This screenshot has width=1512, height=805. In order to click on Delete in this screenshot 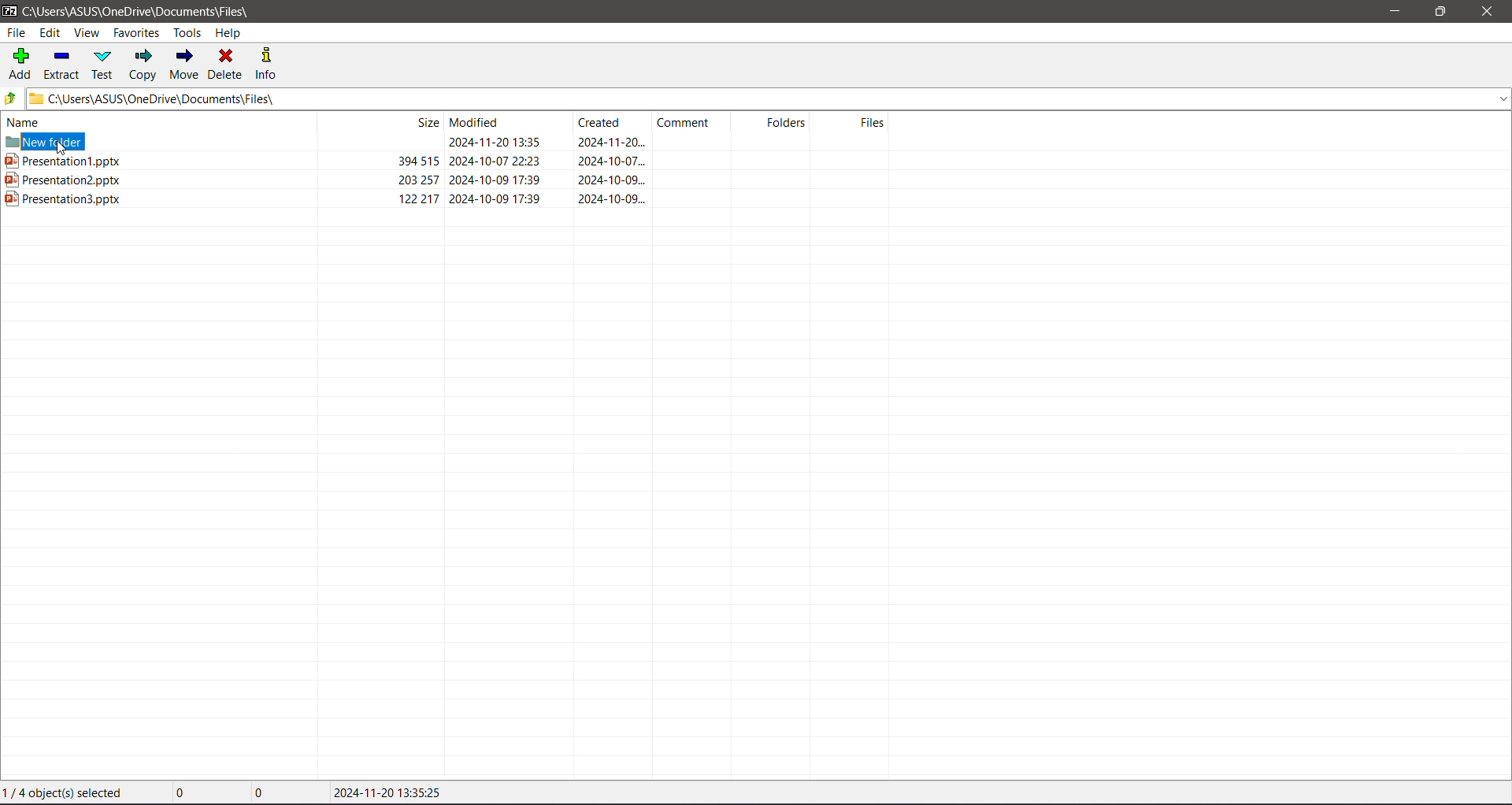, I will do `click(228, 65)`.